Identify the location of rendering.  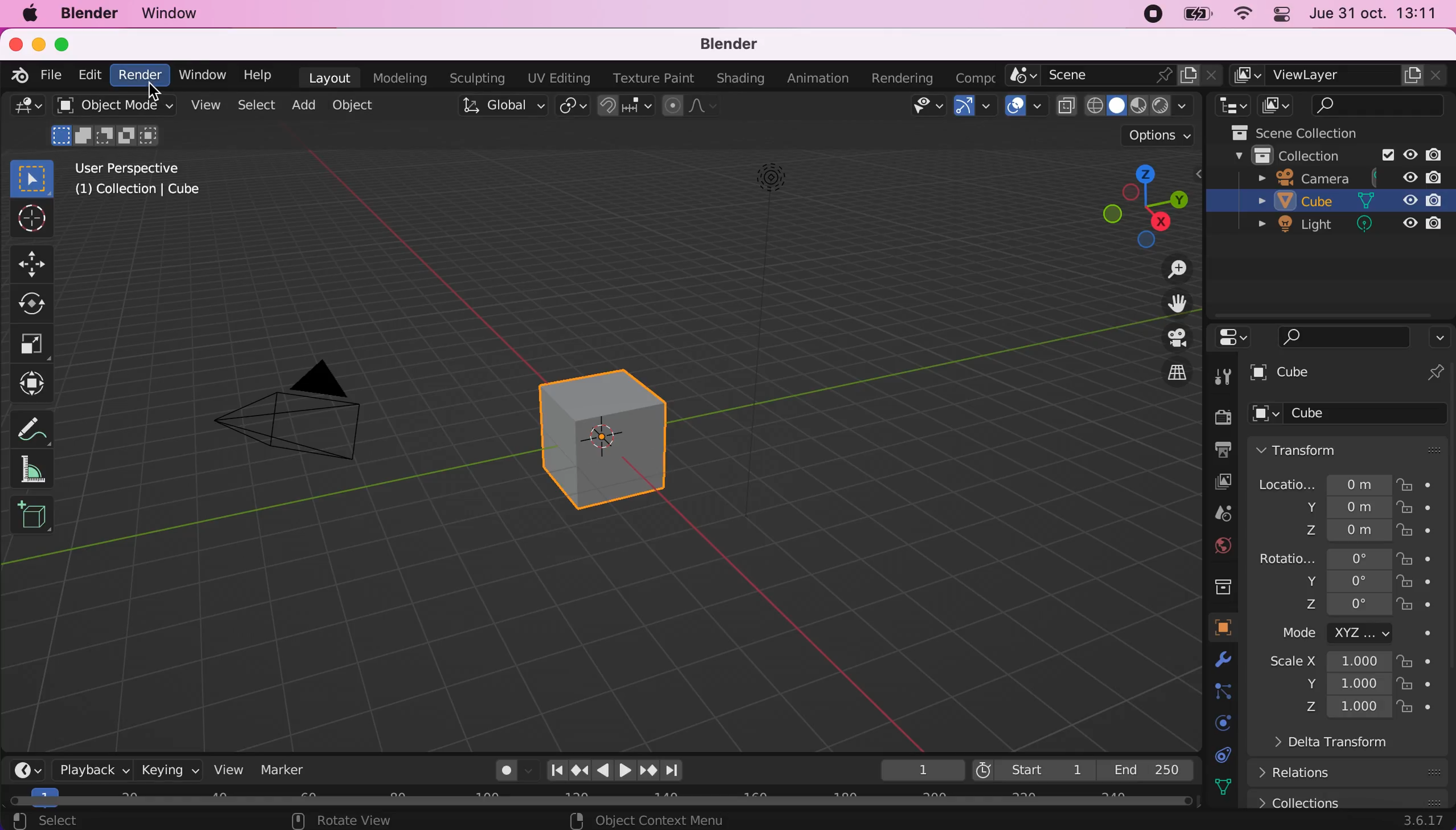
(903, 79).